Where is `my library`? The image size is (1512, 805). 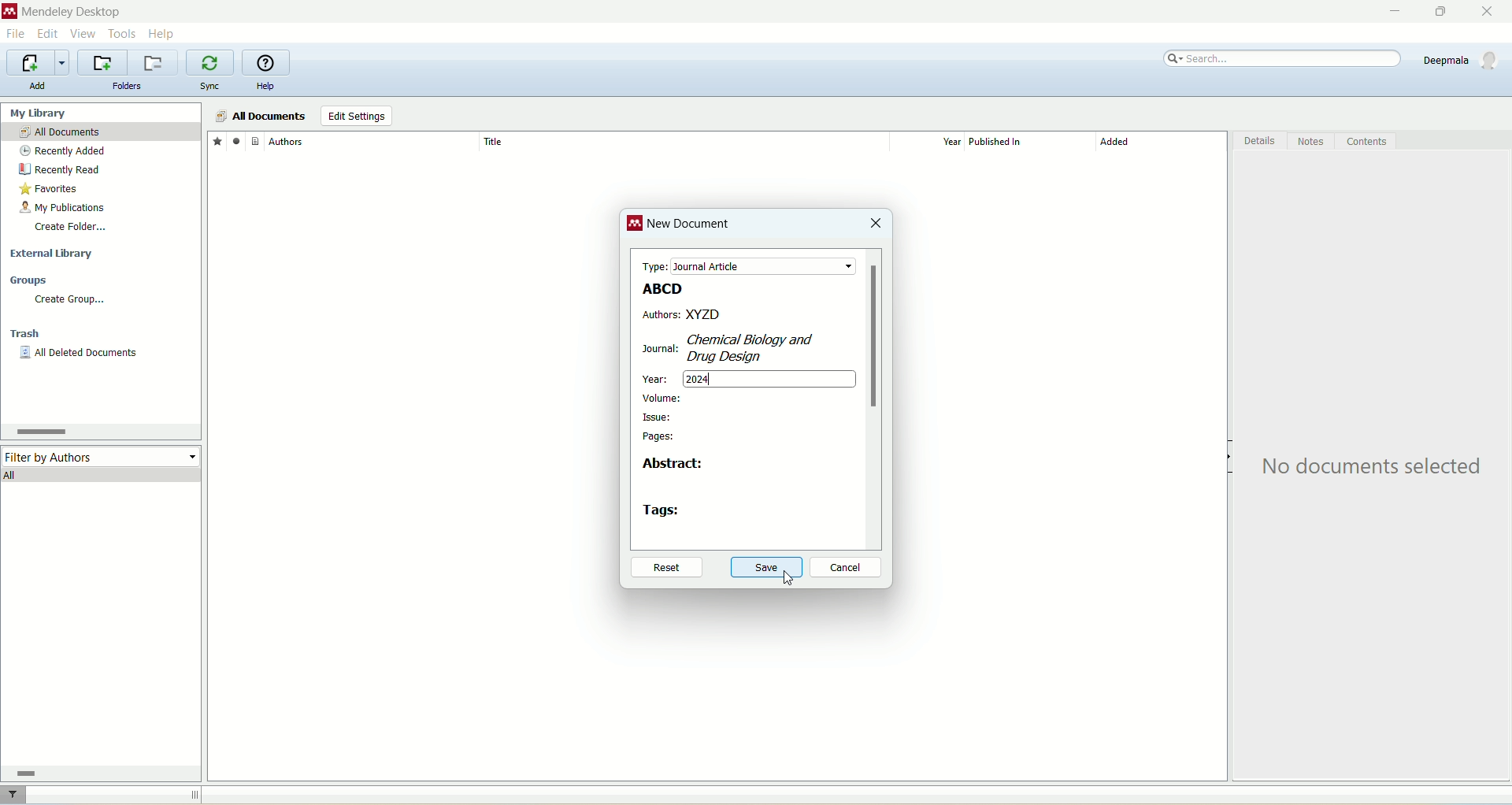
my library is located at coordinates (40, 113).